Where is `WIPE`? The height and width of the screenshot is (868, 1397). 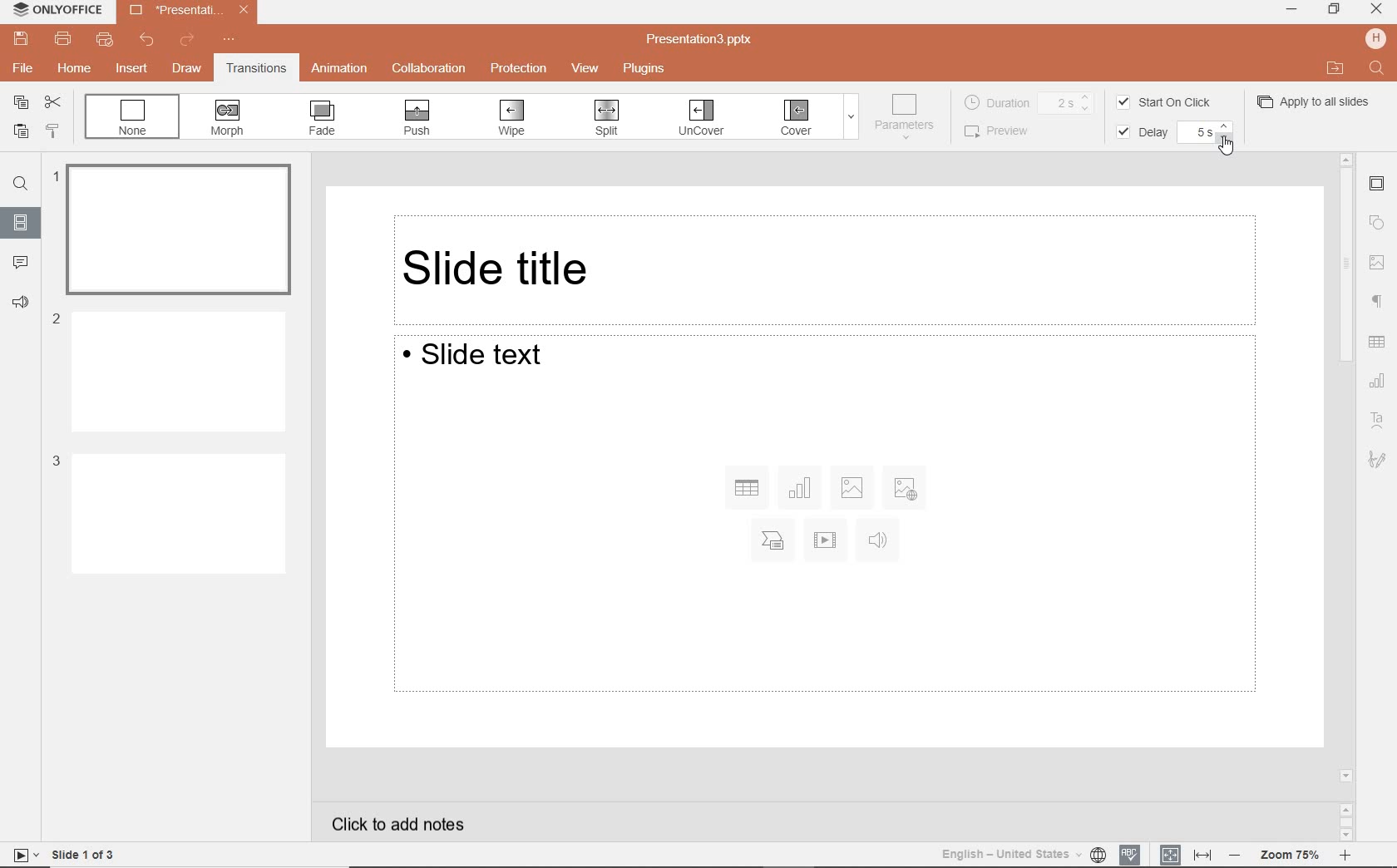 WIPE is located at coordinates (513, 118).